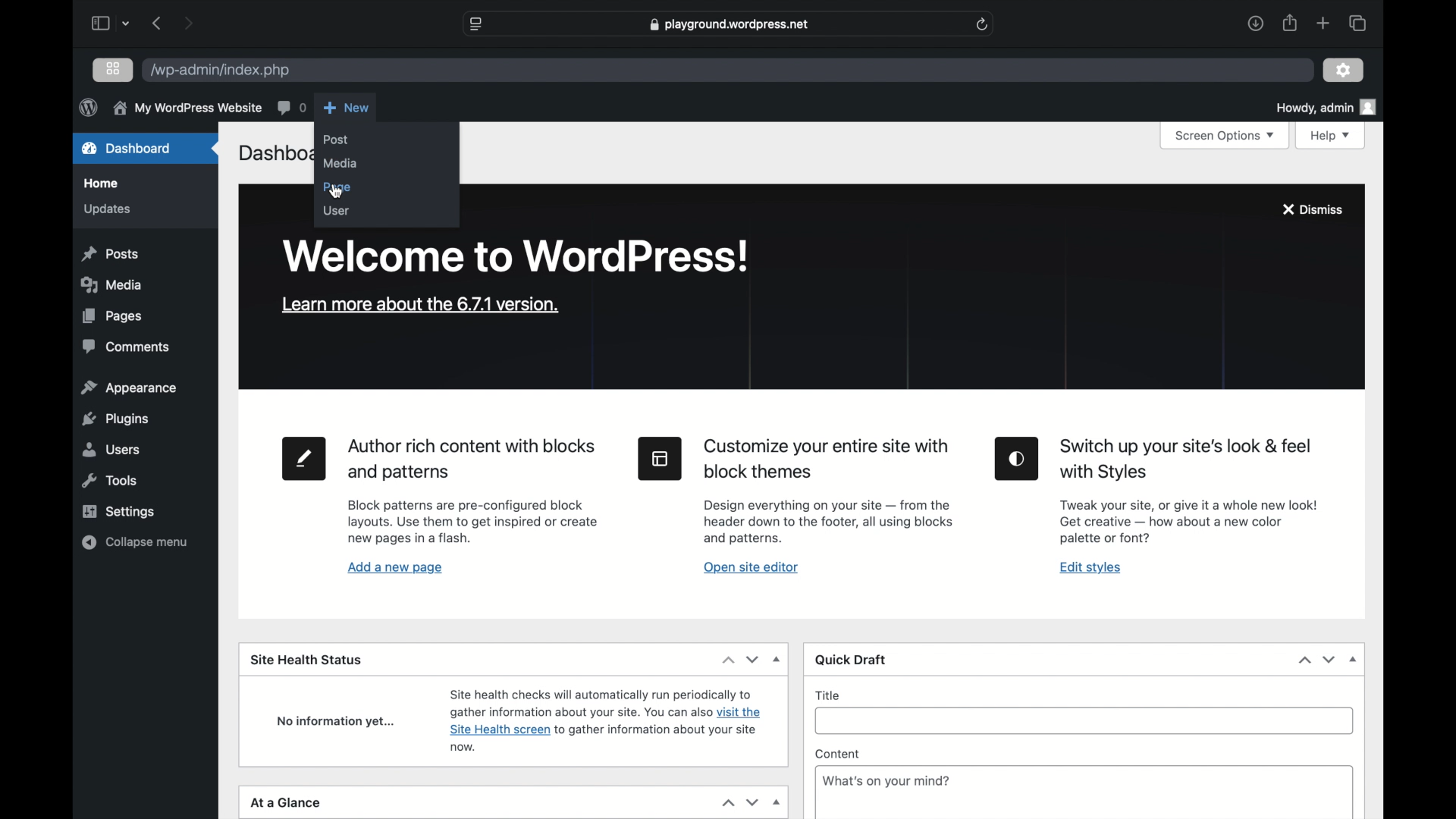 The height and width of the screenshot is (819, 1456). Describe the element at coordinates (124, 347) in the screenshot. I see `comments` at that location.